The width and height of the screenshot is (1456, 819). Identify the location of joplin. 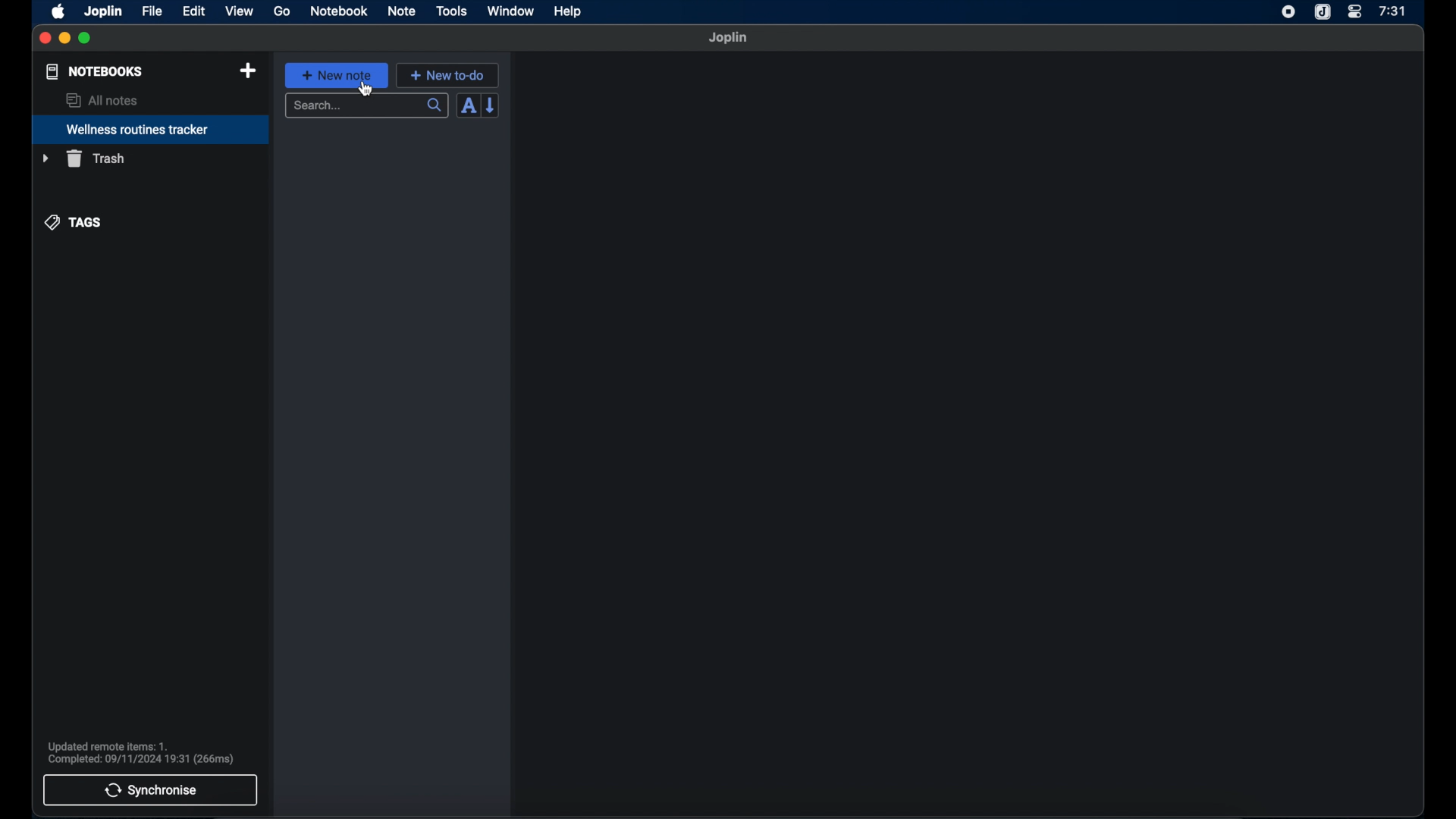
(729, 38).